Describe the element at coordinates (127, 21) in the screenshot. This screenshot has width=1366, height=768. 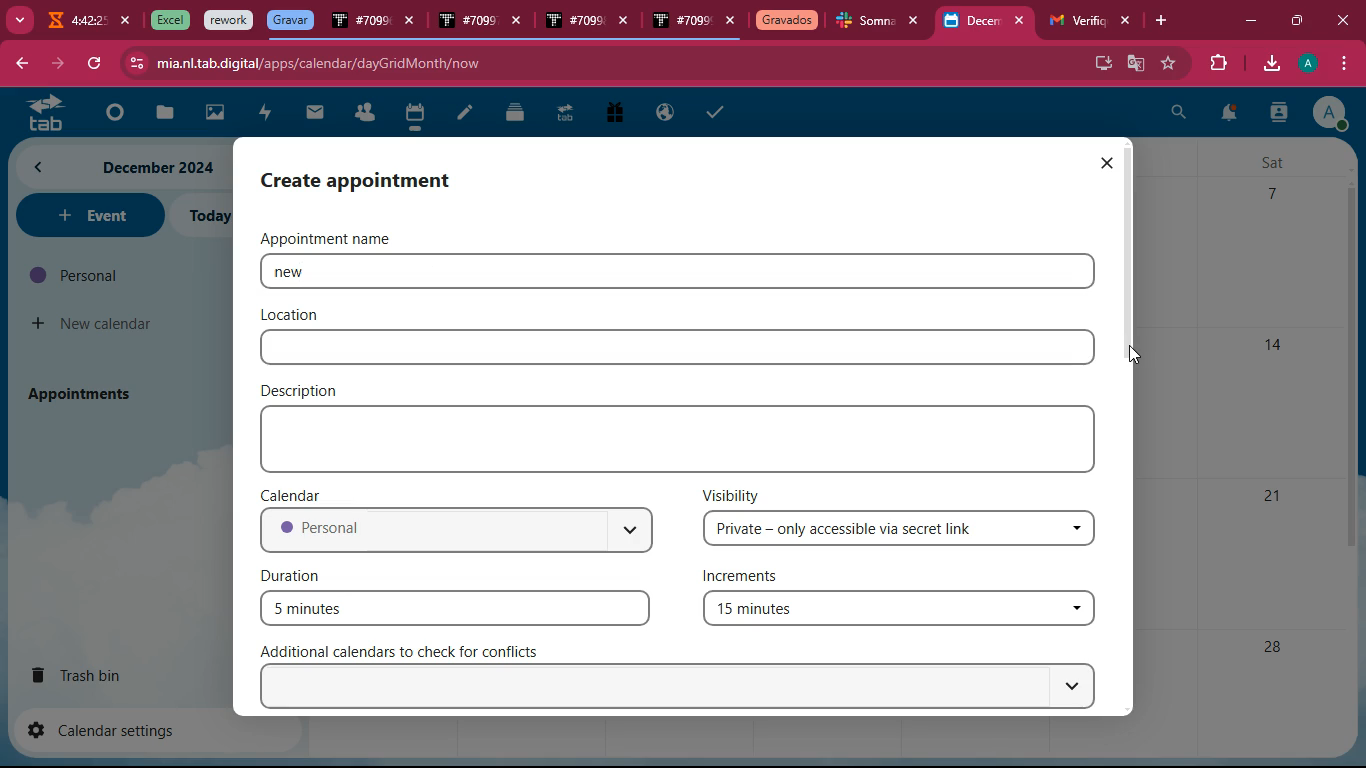
I see `close` at that location.